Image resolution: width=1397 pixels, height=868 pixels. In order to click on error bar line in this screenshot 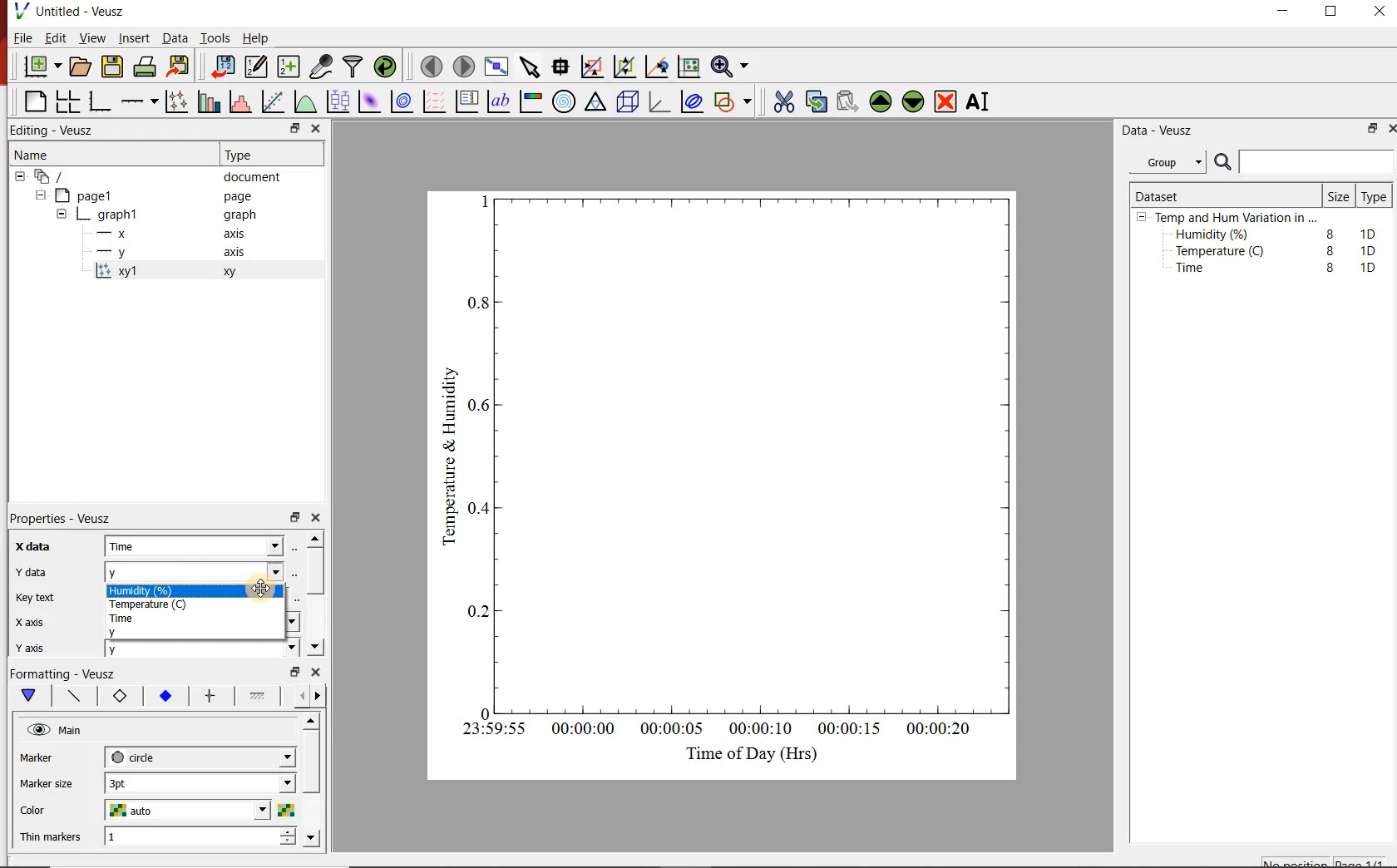, I will do `click(210, 695)`.